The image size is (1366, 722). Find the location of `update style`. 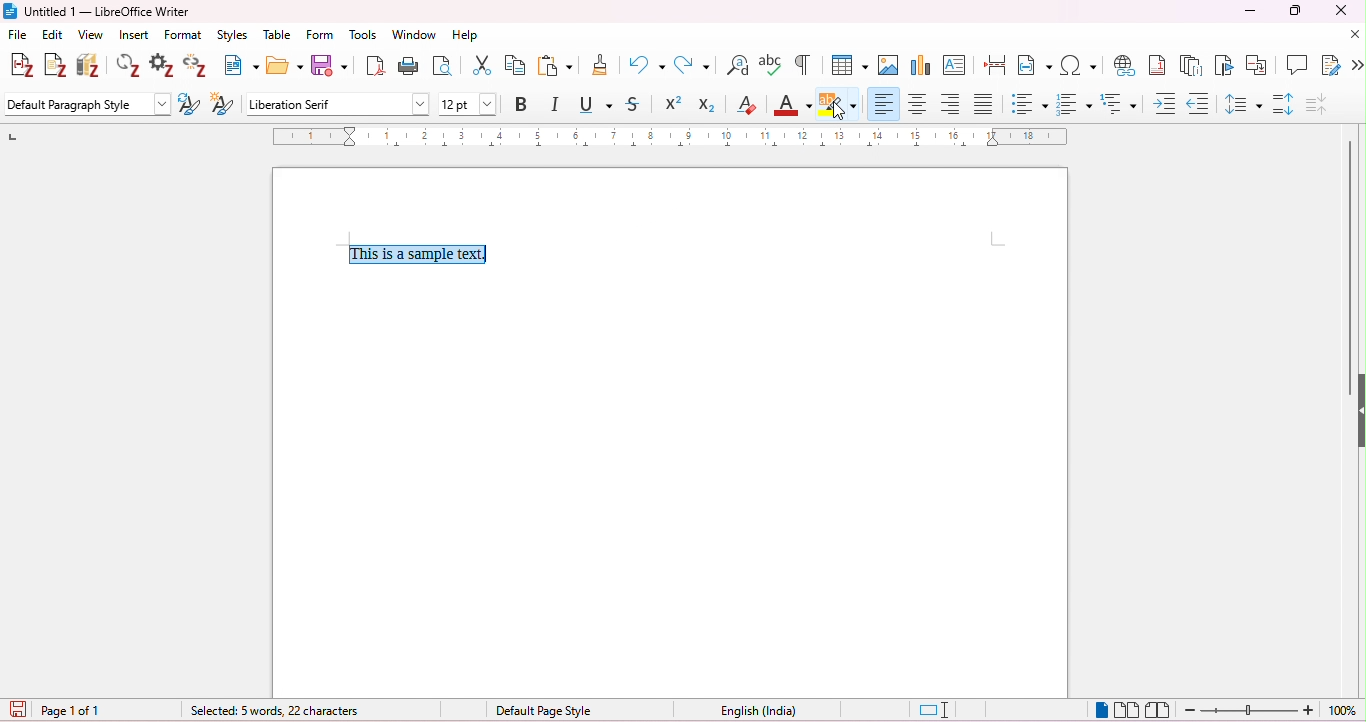

update style is located at coordinates (190, 105).